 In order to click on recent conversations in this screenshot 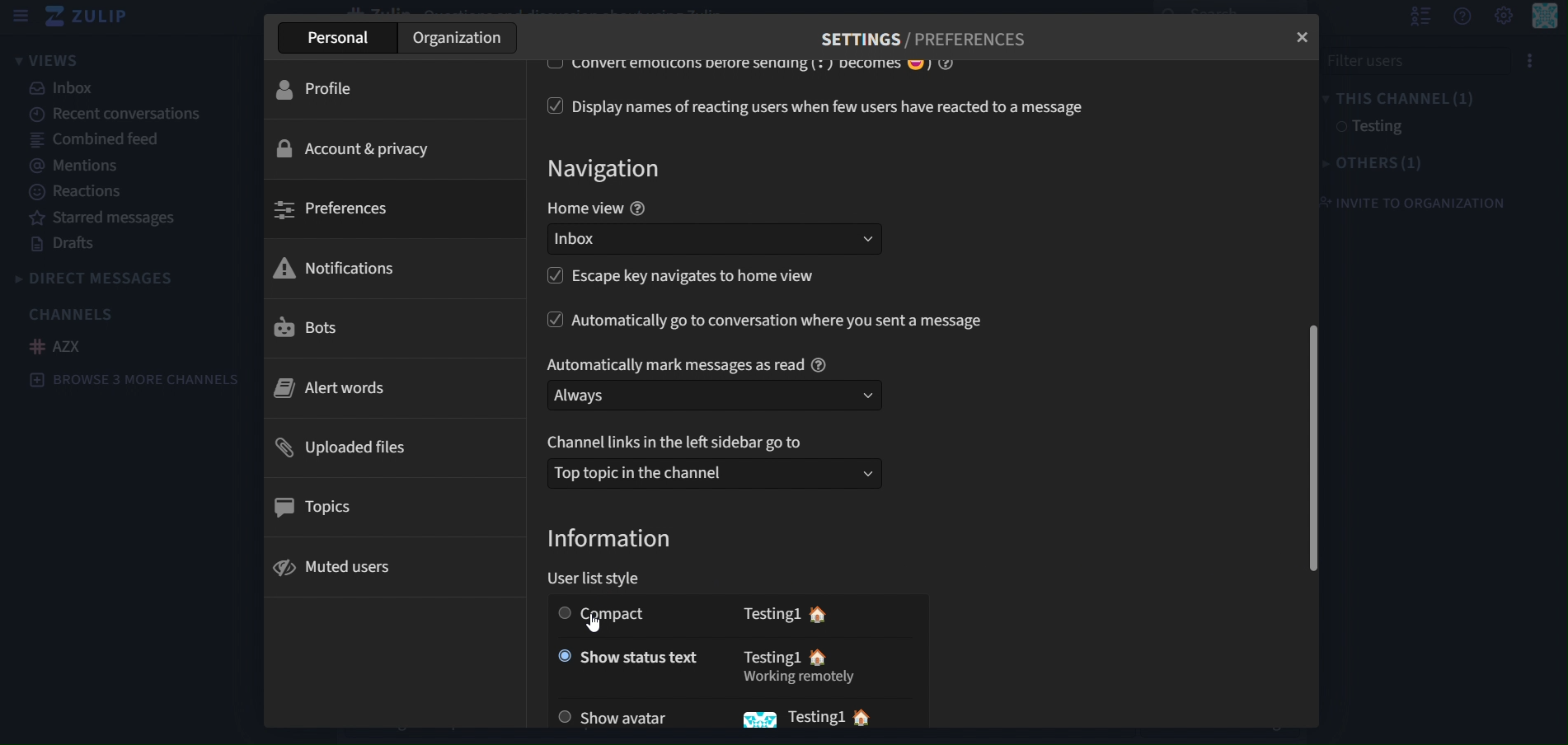, I will do `click(120, 114)`.